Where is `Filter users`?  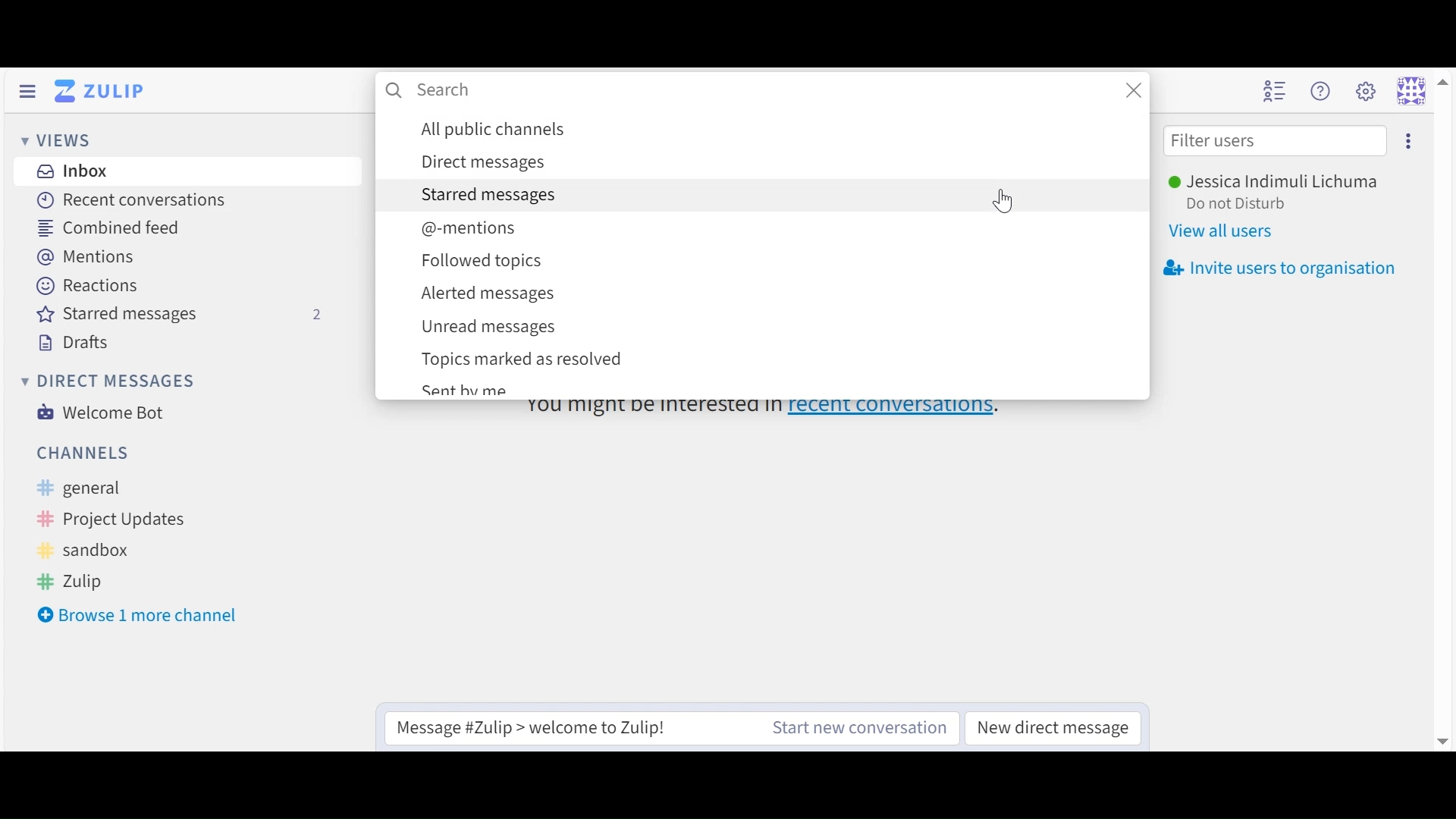 Filter users is located at coordinates (1275, 141).